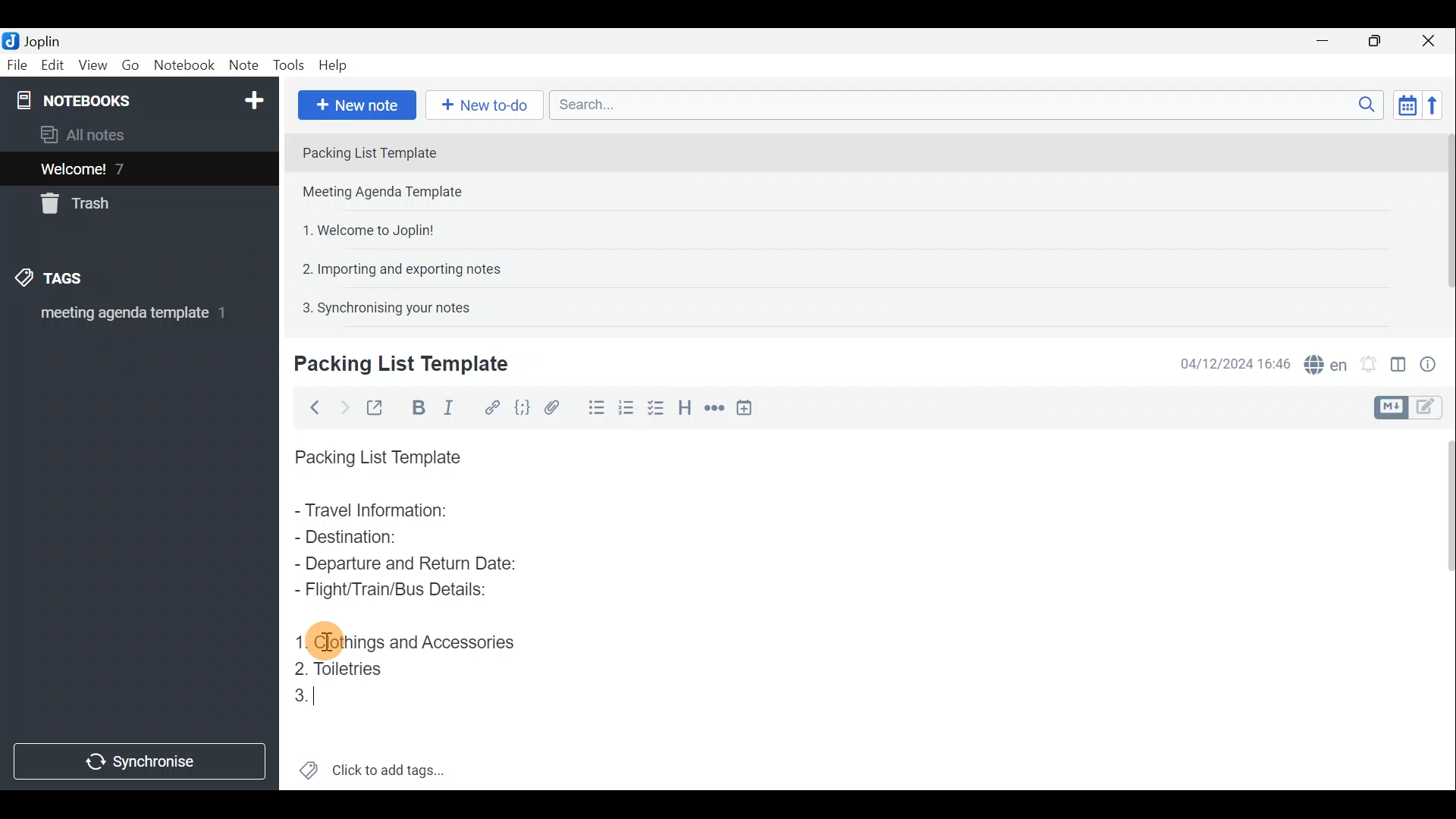 The height and width of the screenshot is (819, 1456). Describe the element at coordinates (130, 318) in the screenshot. I see `meeting agenda template` at that location.